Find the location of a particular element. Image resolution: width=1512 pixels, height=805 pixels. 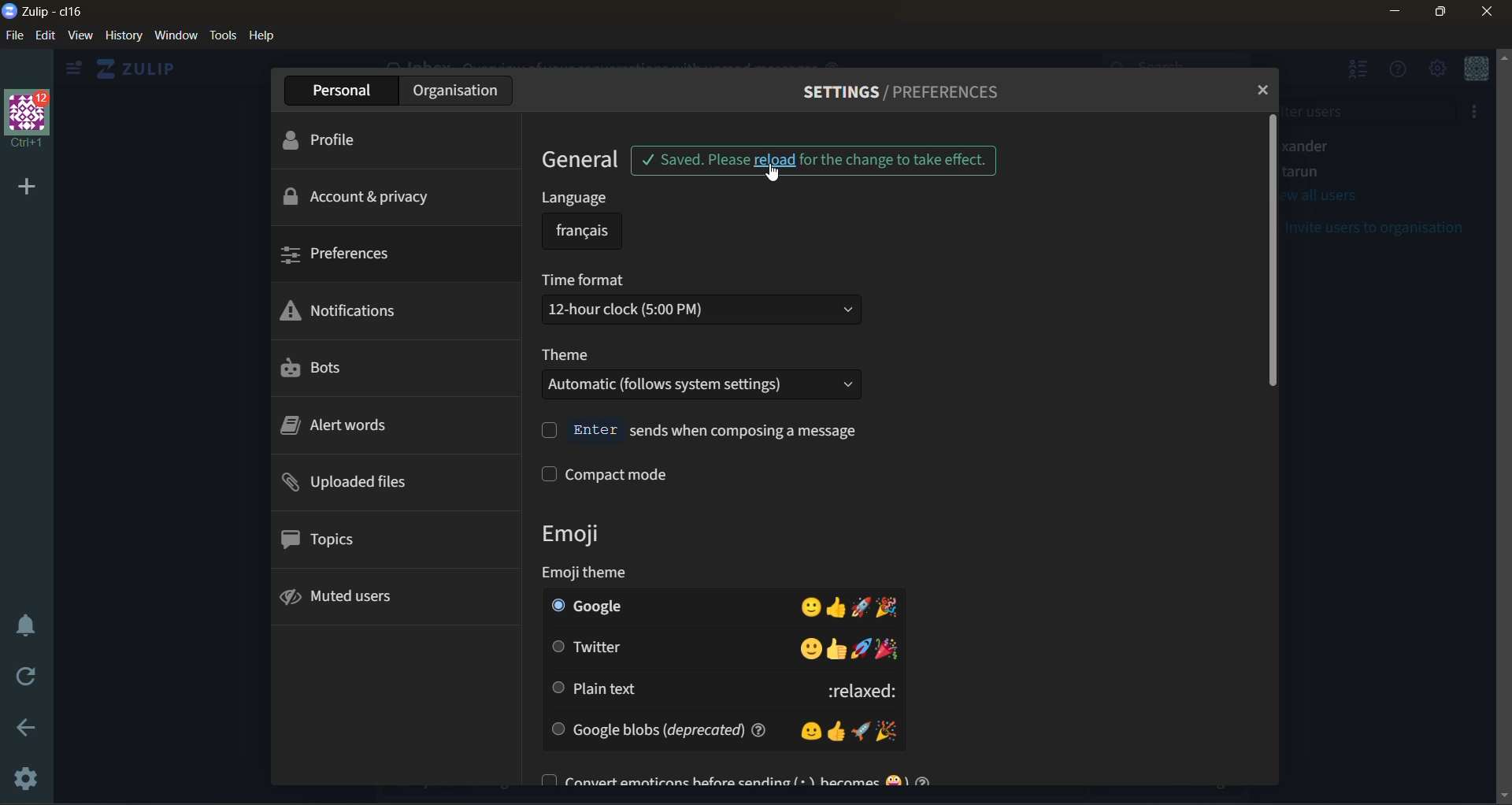

app name and organisation name is located at coordinates (46, 13).